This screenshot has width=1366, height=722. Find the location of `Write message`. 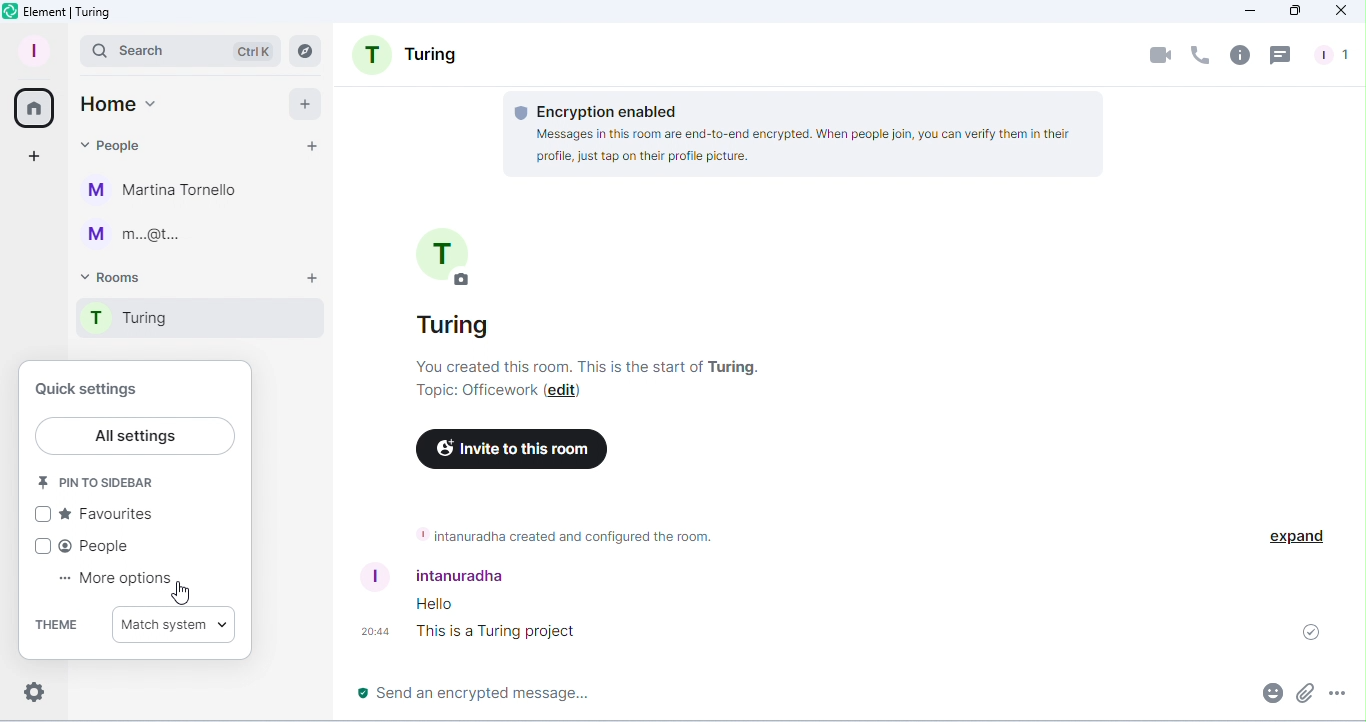

Write message is located at coordinates (770, 695).